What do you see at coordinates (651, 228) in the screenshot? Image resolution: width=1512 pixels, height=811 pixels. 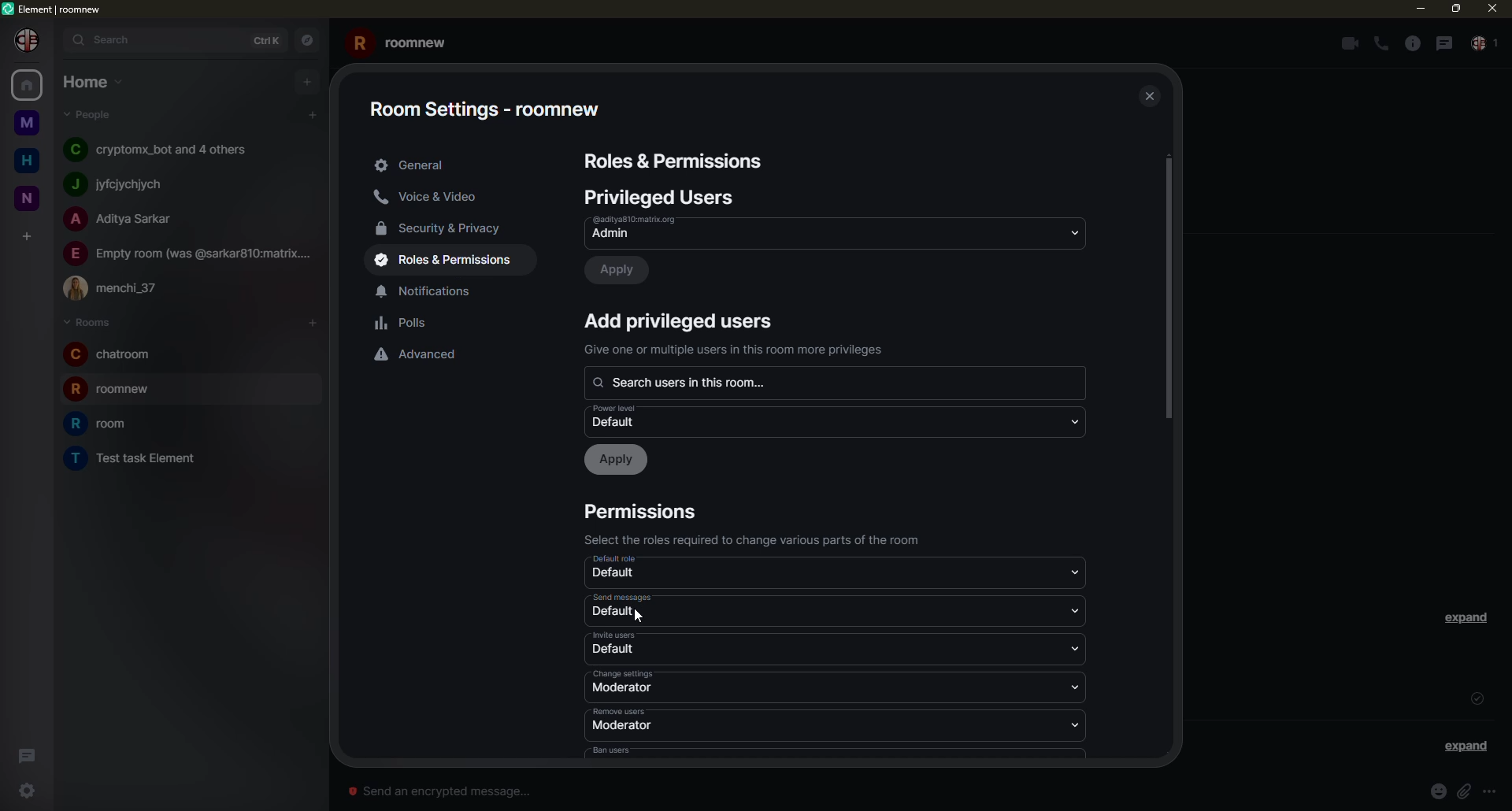 I see `admin` at bounding box center [651, 228].